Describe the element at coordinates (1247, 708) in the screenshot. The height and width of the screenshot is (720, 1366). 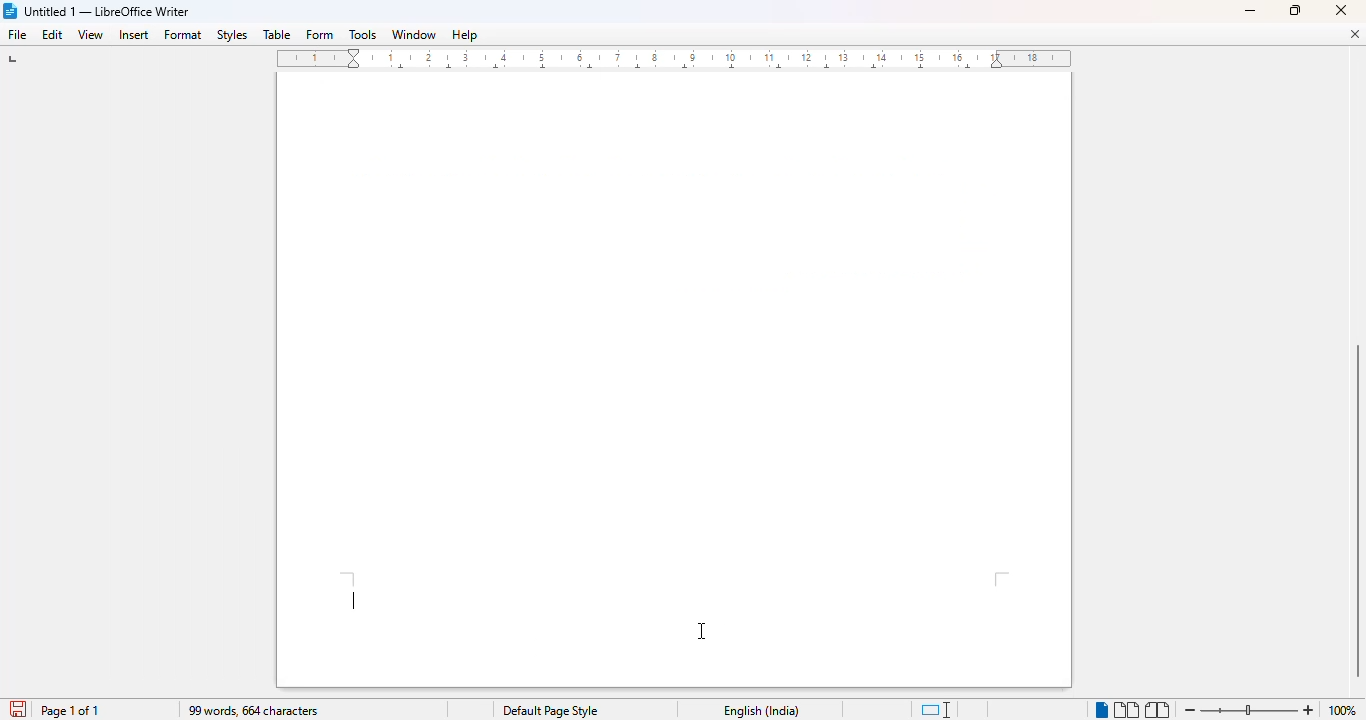
I see `change zoom level` at that location.